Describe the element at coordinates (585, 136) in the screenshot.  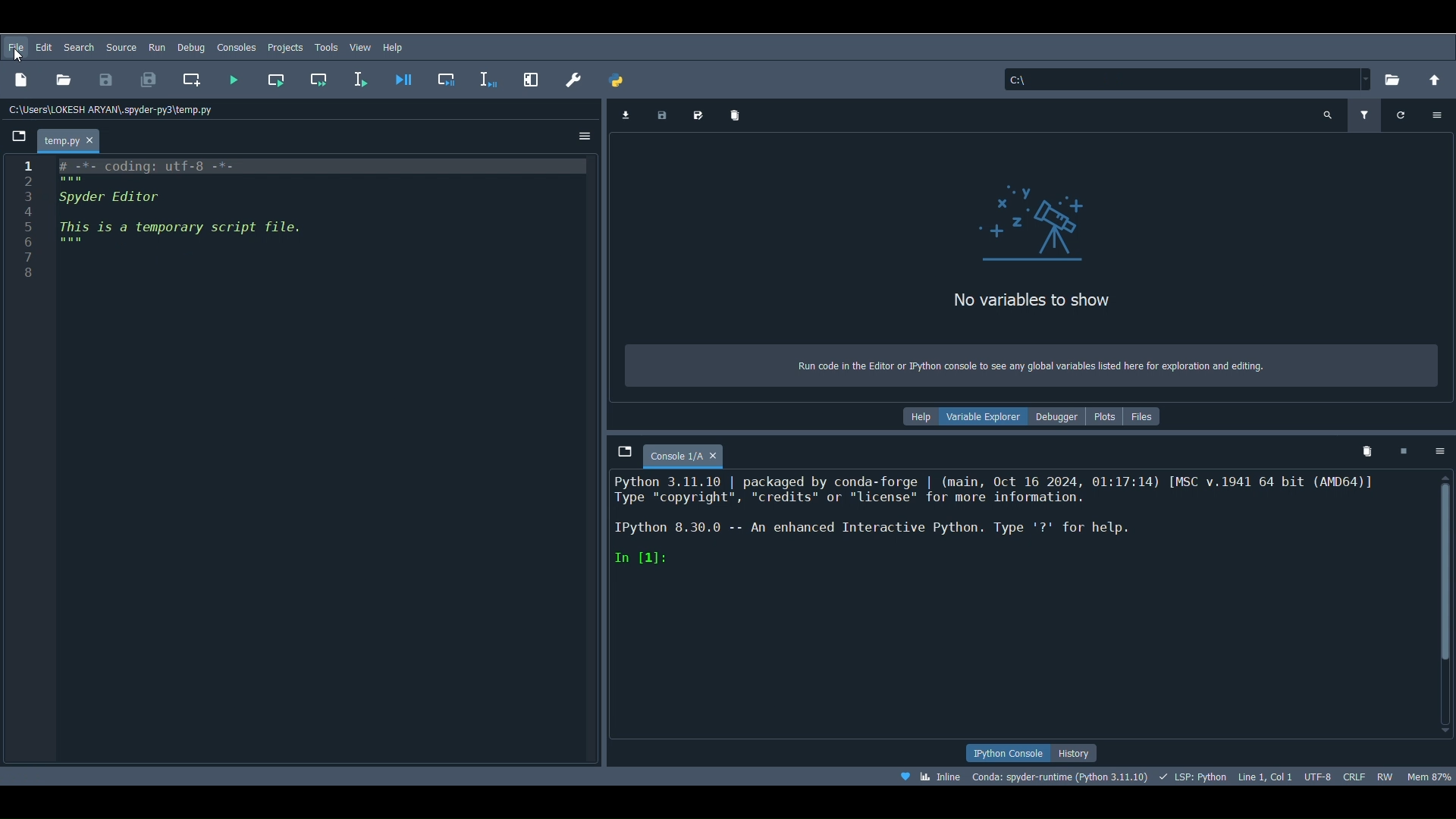
I see `Options` at that location.